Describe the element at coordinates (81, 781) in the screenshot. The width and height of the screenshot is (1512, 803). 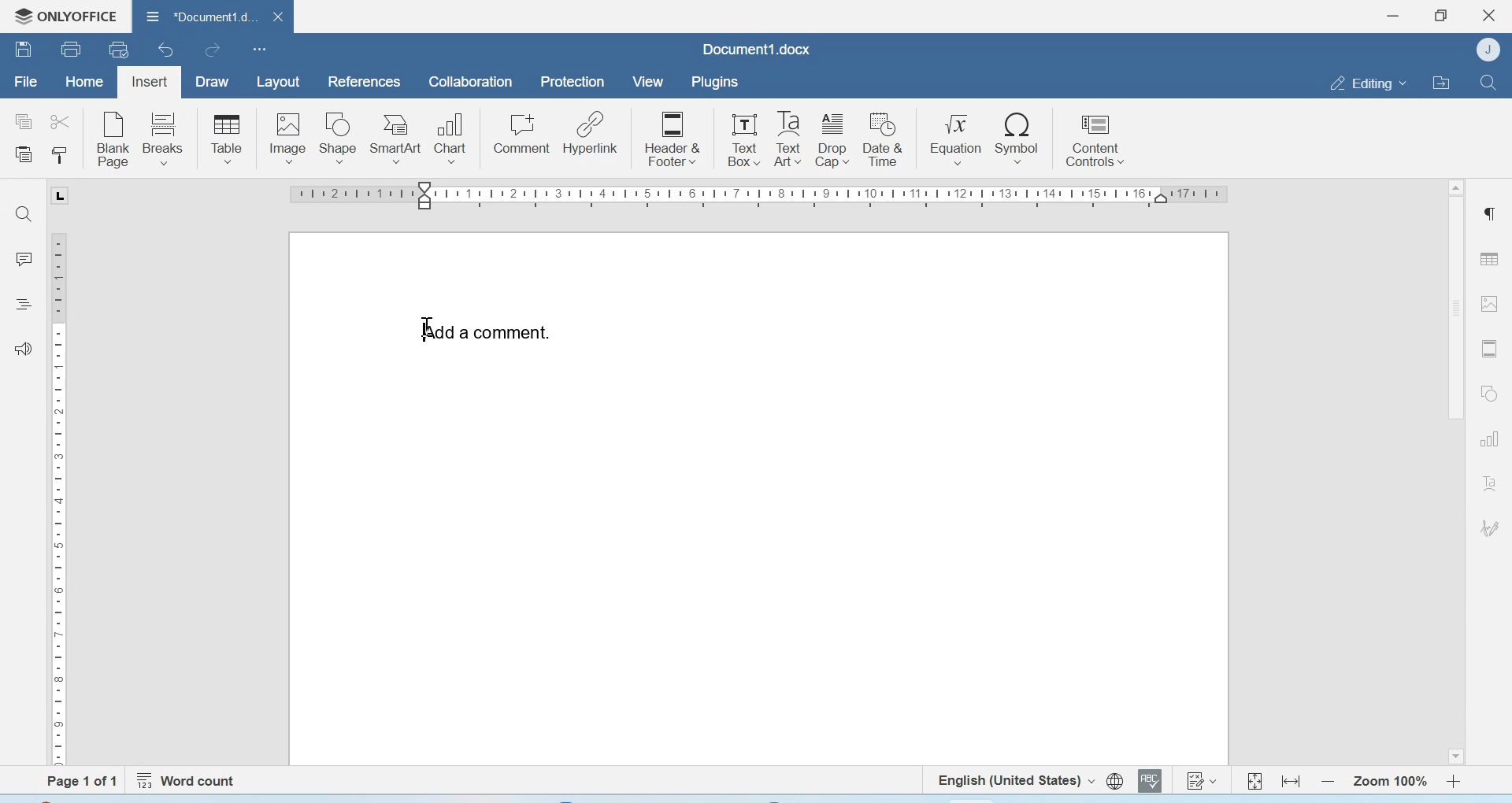
I see `Page 1 of 1` at that location.